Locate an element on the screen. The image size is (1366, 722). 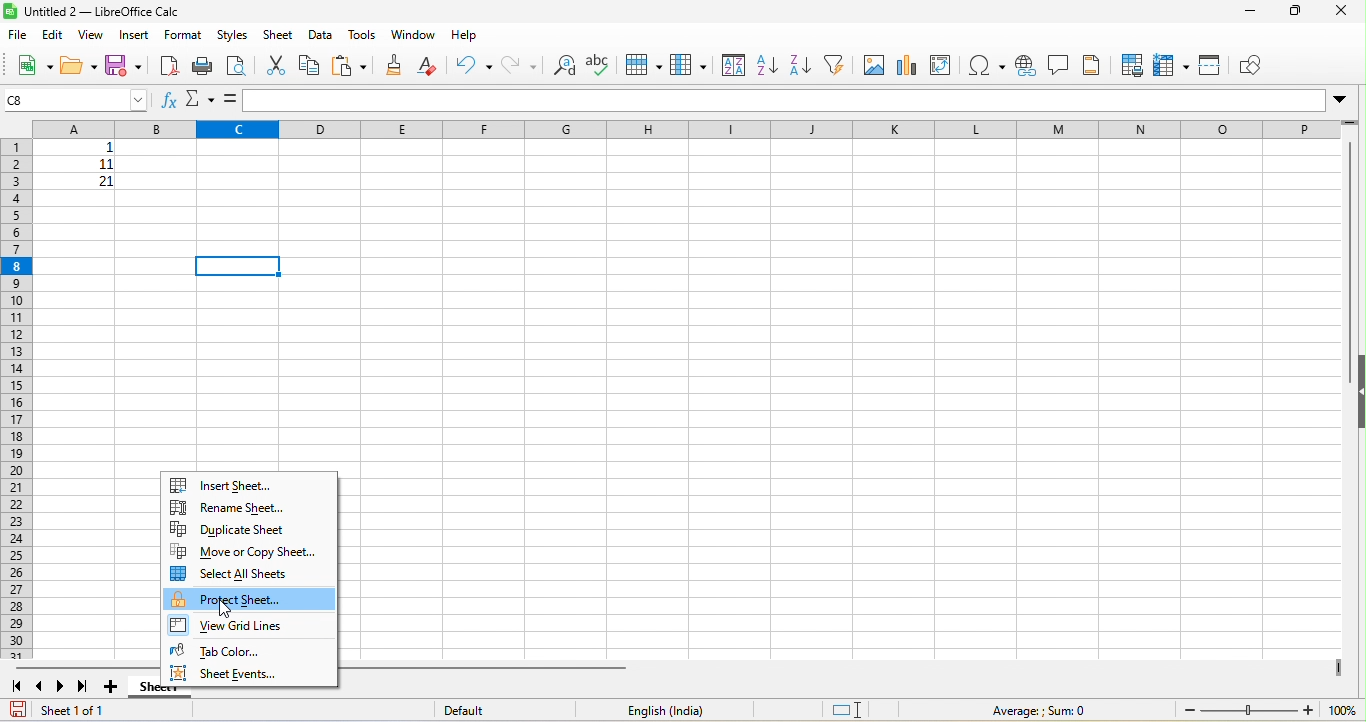
previous is located at coordinates (40, 685).